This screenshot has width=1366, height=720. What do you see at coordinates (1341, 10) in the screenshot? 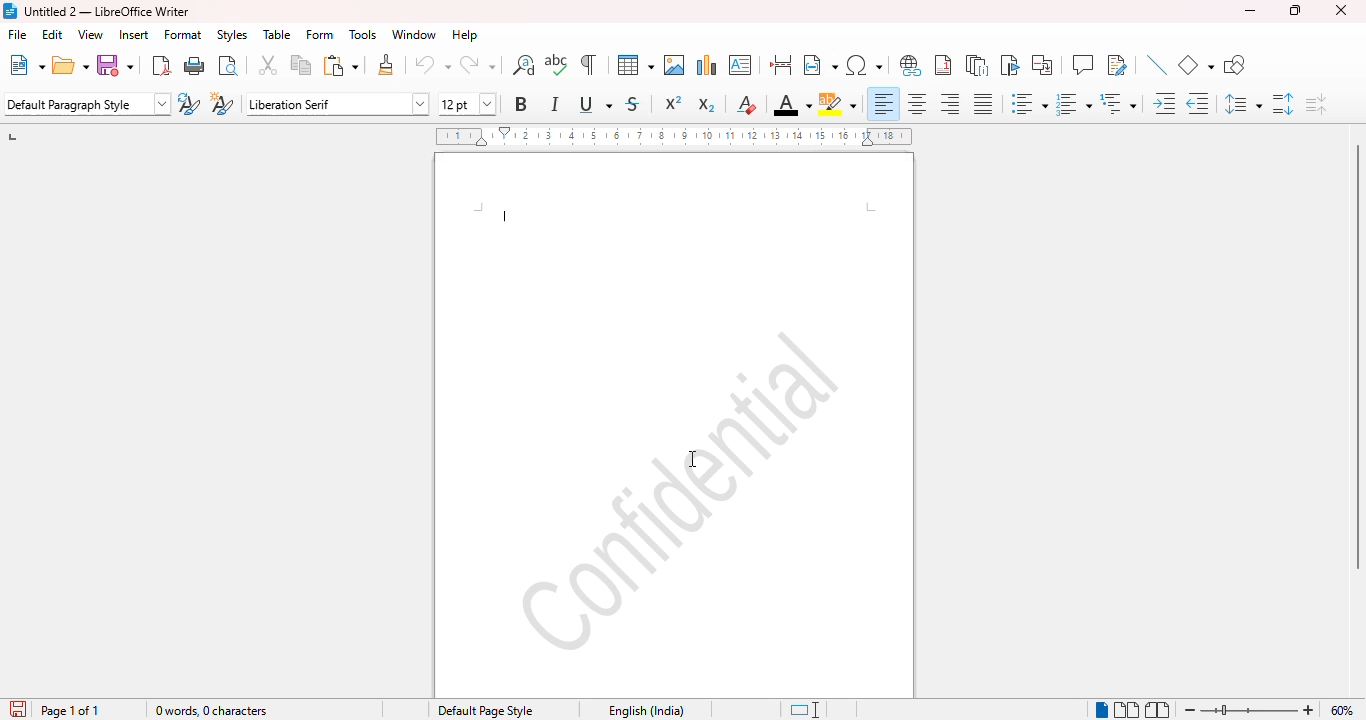
I see `close` at bounding box center [1341, 10].